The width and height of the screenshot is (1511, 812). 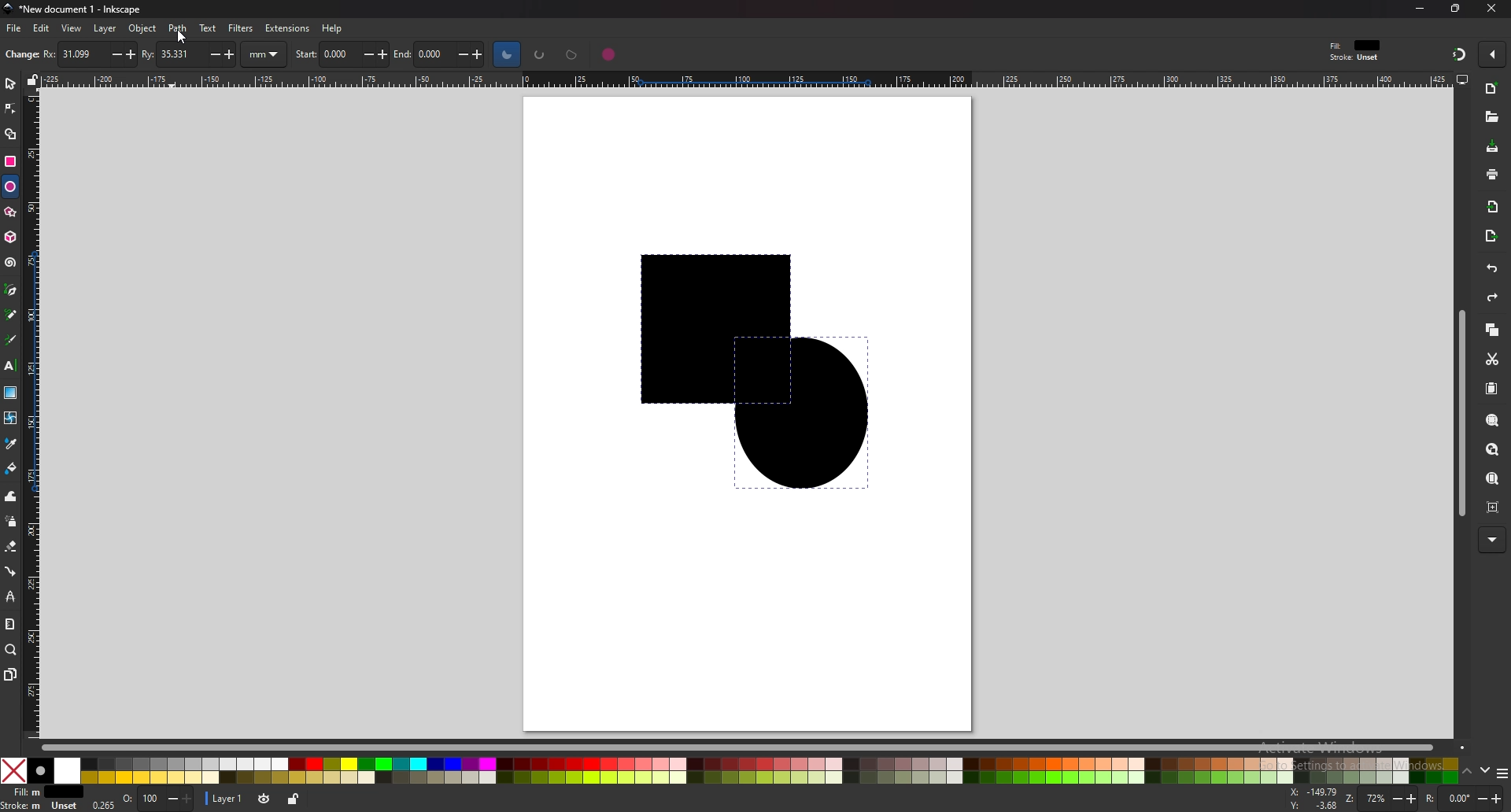 I want to click on measure, so click(x=11, y=625).